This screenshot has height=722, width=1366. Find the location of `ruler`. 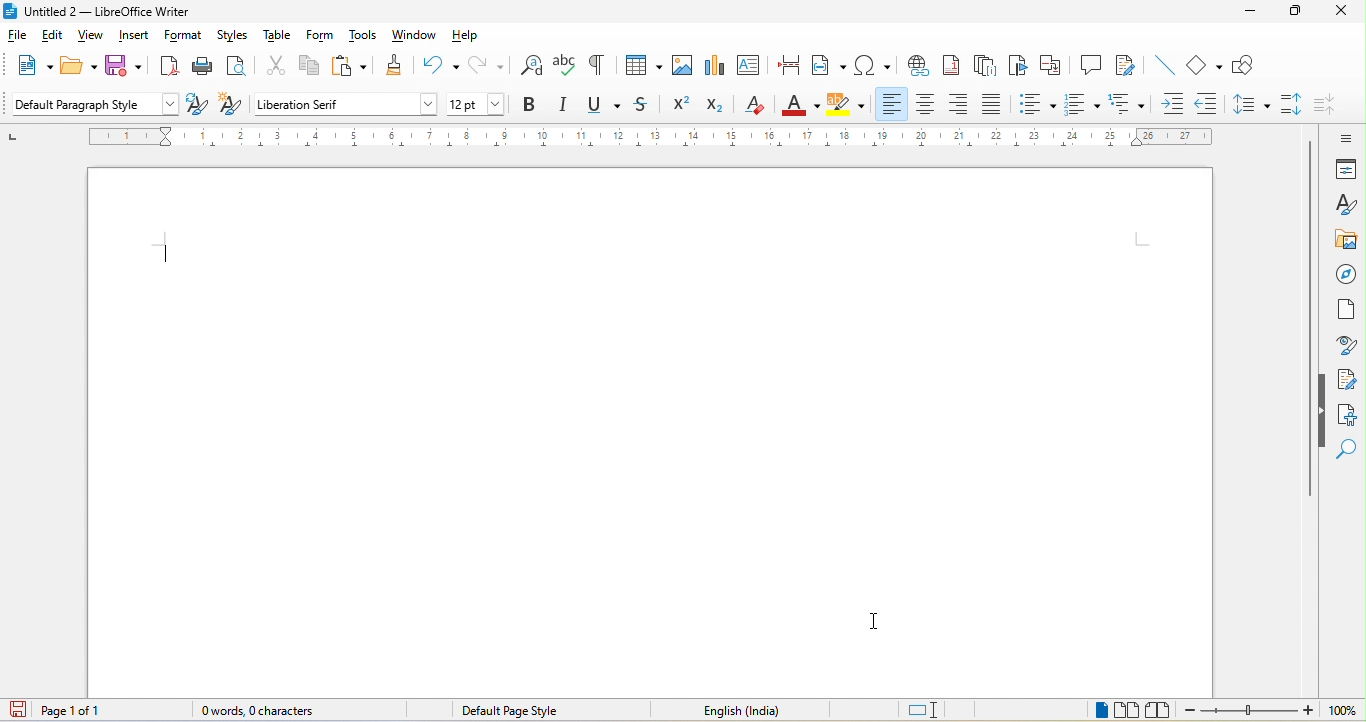

ruler is located at coordinates (651, 138).